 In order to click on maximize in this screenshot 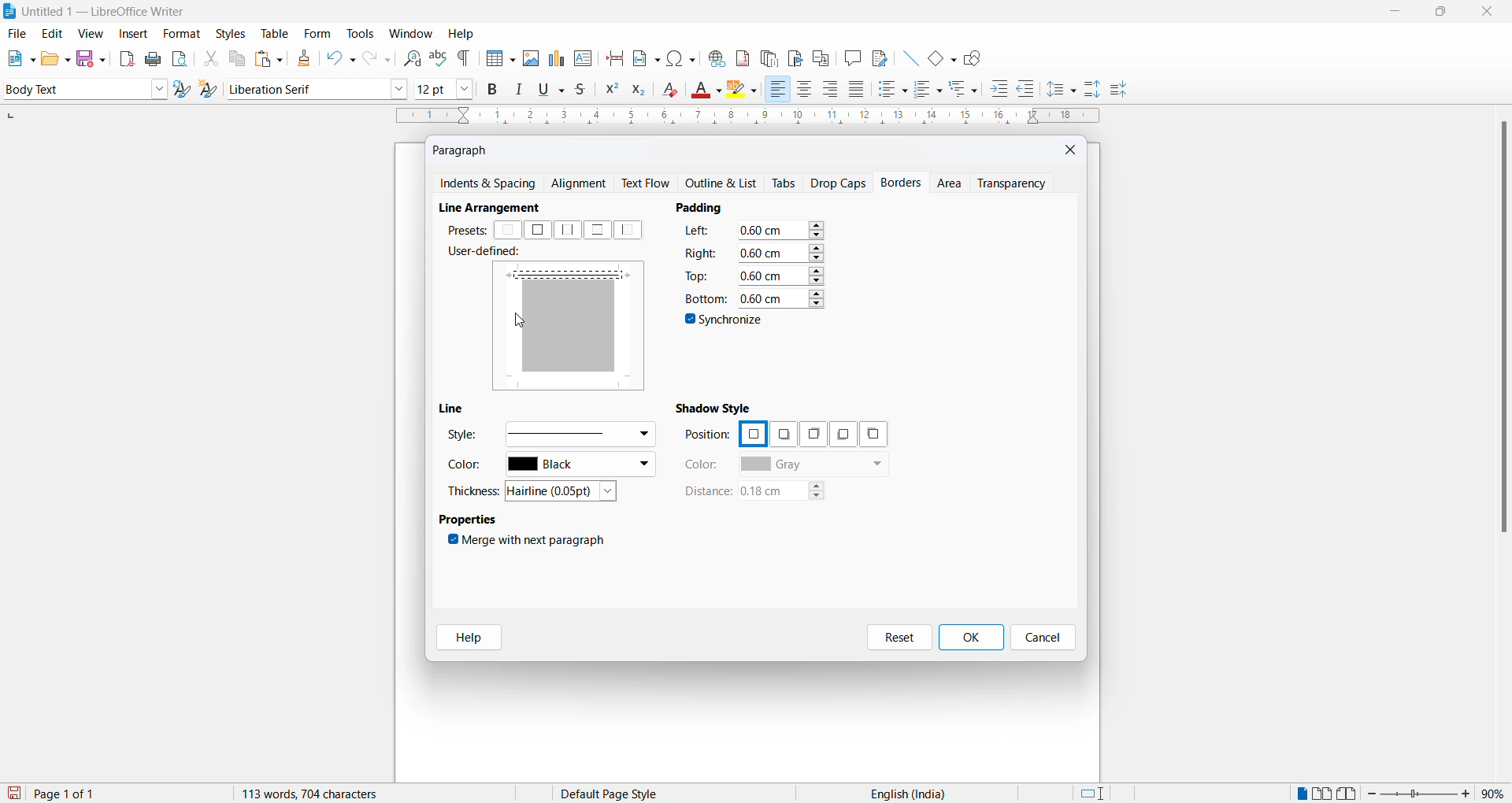, I will do `click(1440, 13)`.